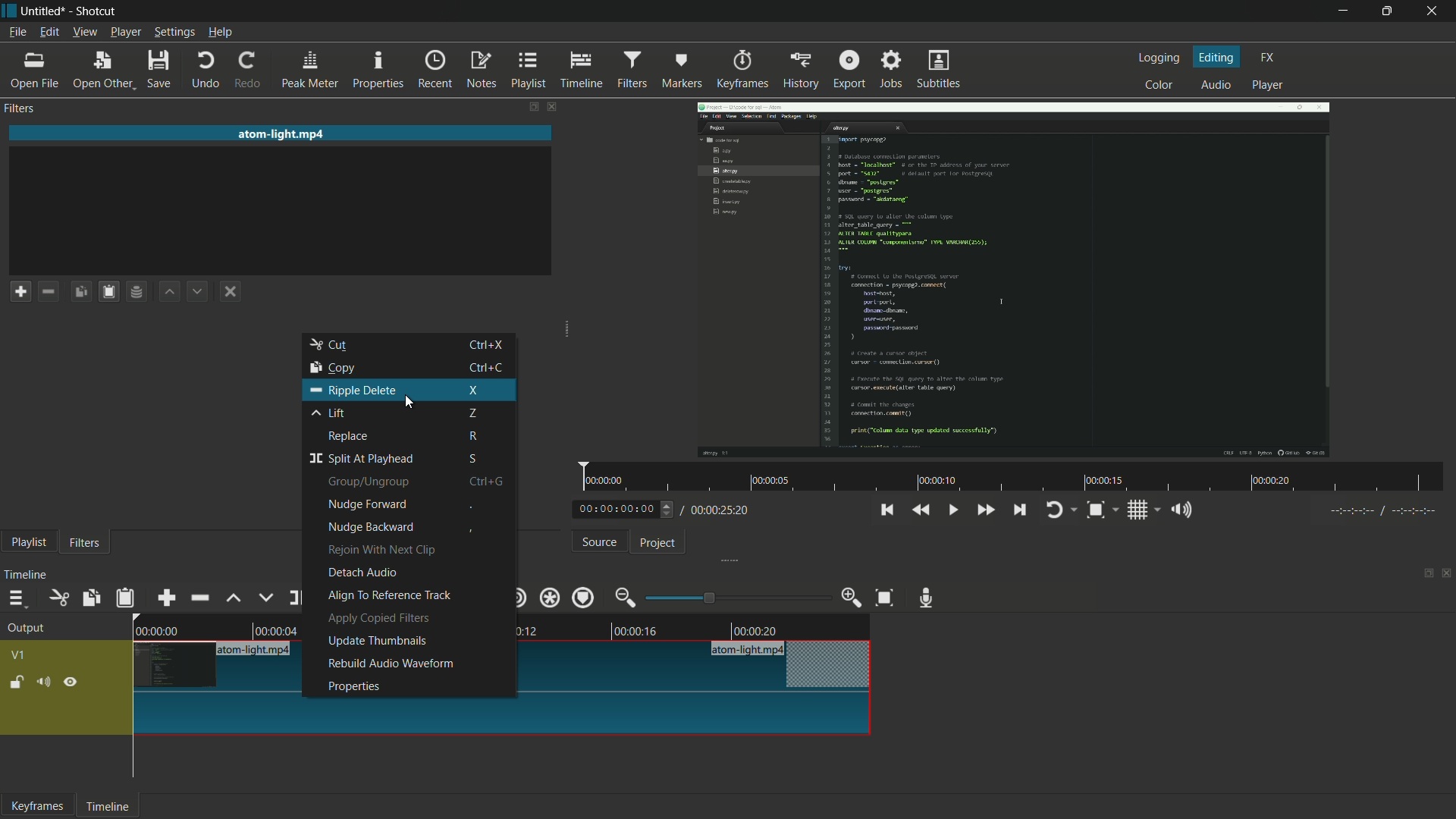 The width and height of the screenshot is (1456, 819). What do you see at coordinates (1393, 11) in the screenshot?
I see `Maximize` at bounding box center [1393, 11].